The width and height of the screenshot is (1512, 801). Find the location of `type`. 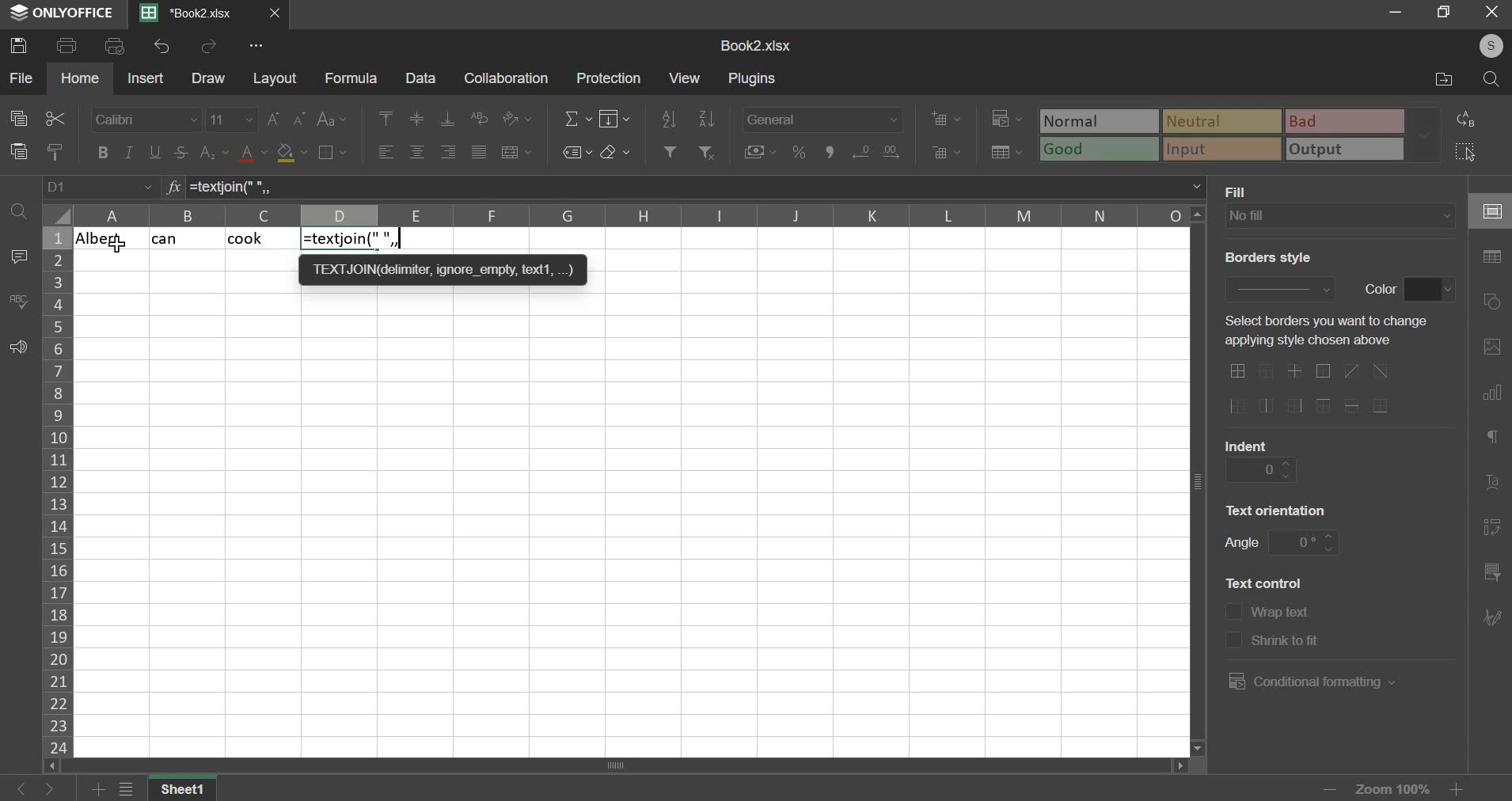

type is located at coordinates (1241, 135).